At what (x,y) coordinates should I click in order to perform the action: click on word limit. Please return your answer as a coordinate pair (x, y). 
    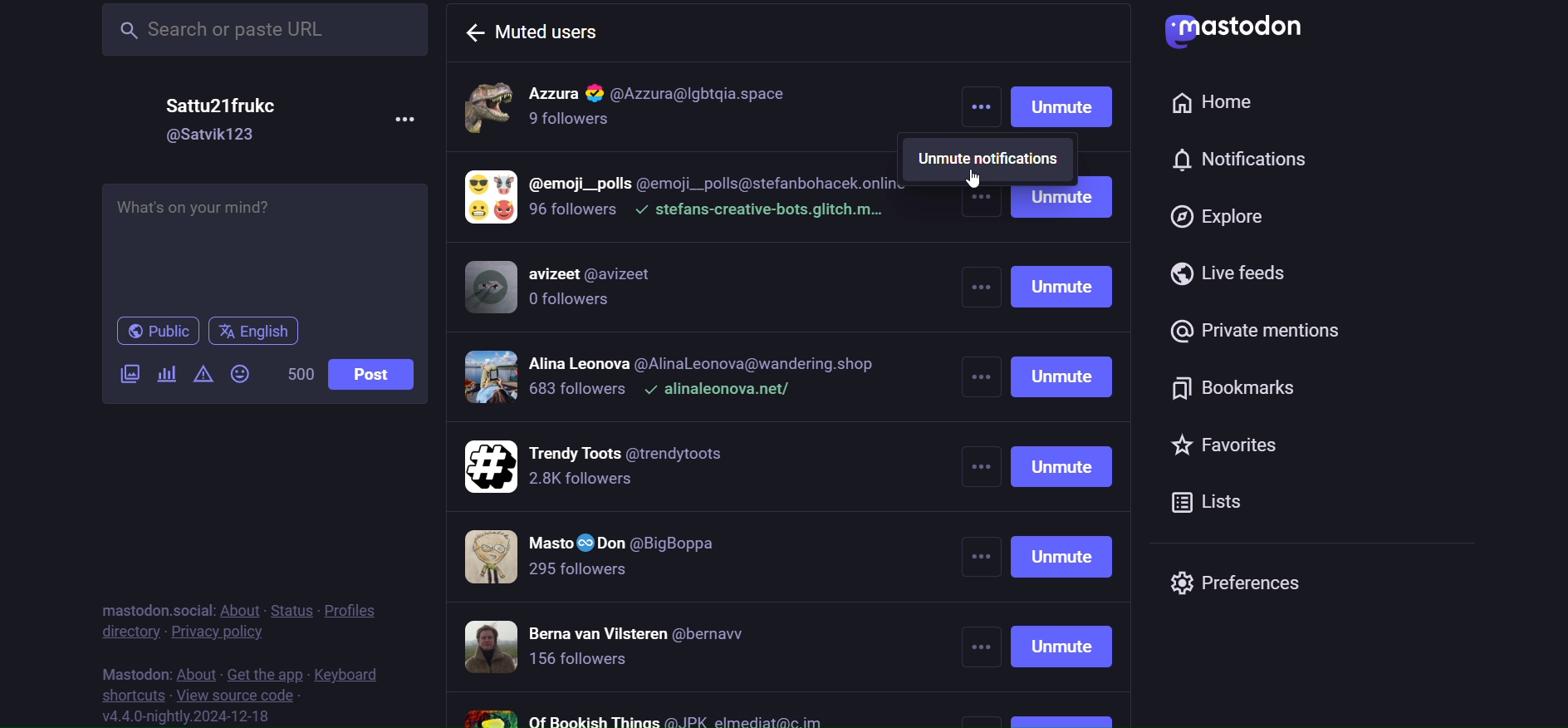
    Looking at the image, I should click on (304, 371).